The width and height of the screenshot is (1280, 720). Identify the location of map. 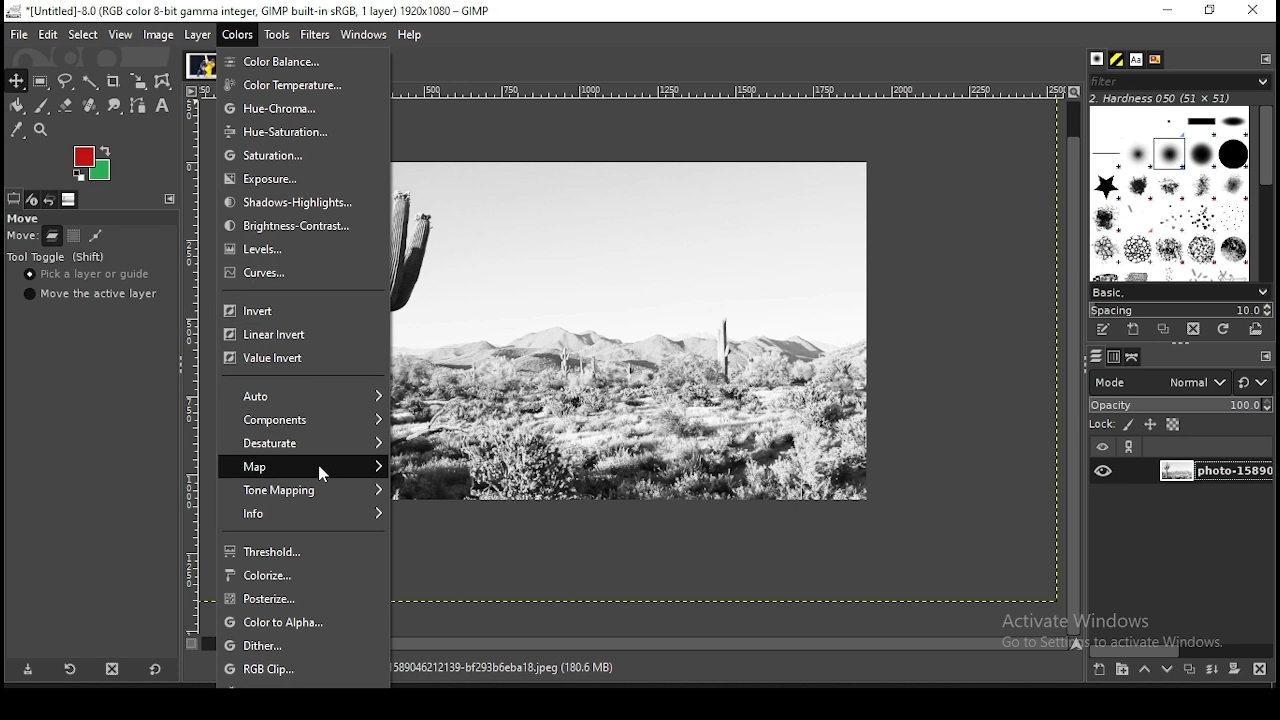
(303, 466).